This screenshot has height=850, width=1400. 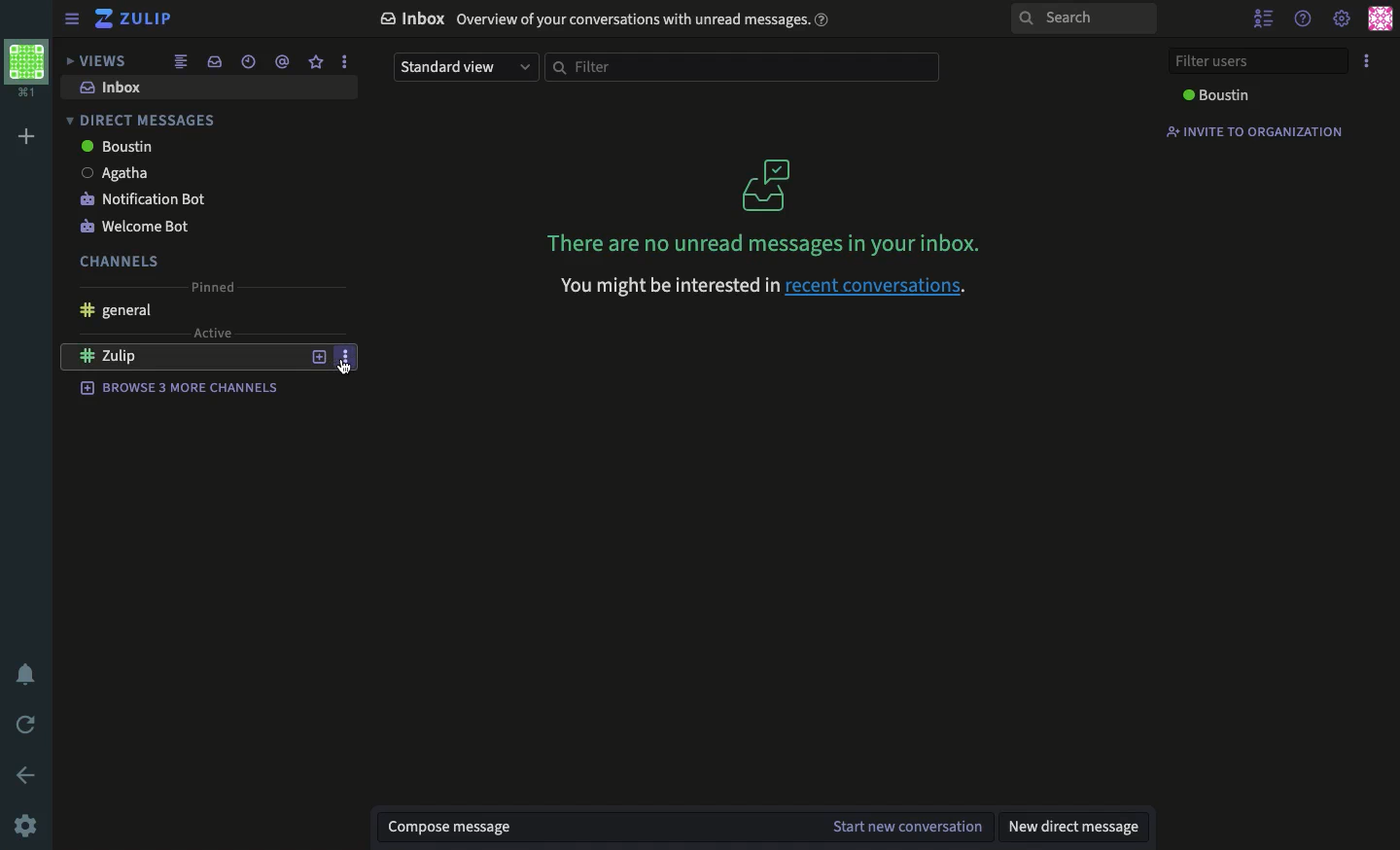 What do you see at coordinates (344, 60) in the screenshot?
I see `options` at bounding box center [344, 60].